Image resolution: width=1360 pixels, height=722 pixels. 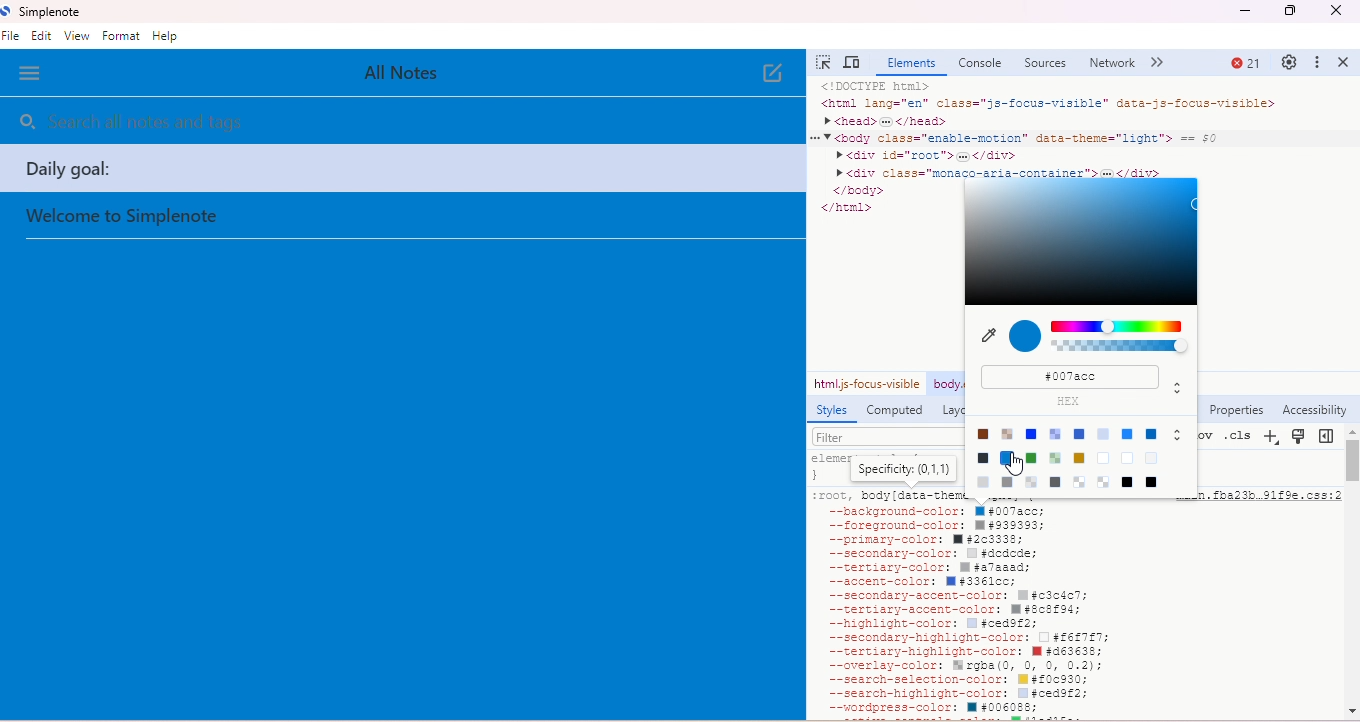 What do you see at coordinates (1288, 61) in the screenshot?
I see `settings` at bounding box center [1288, 61].